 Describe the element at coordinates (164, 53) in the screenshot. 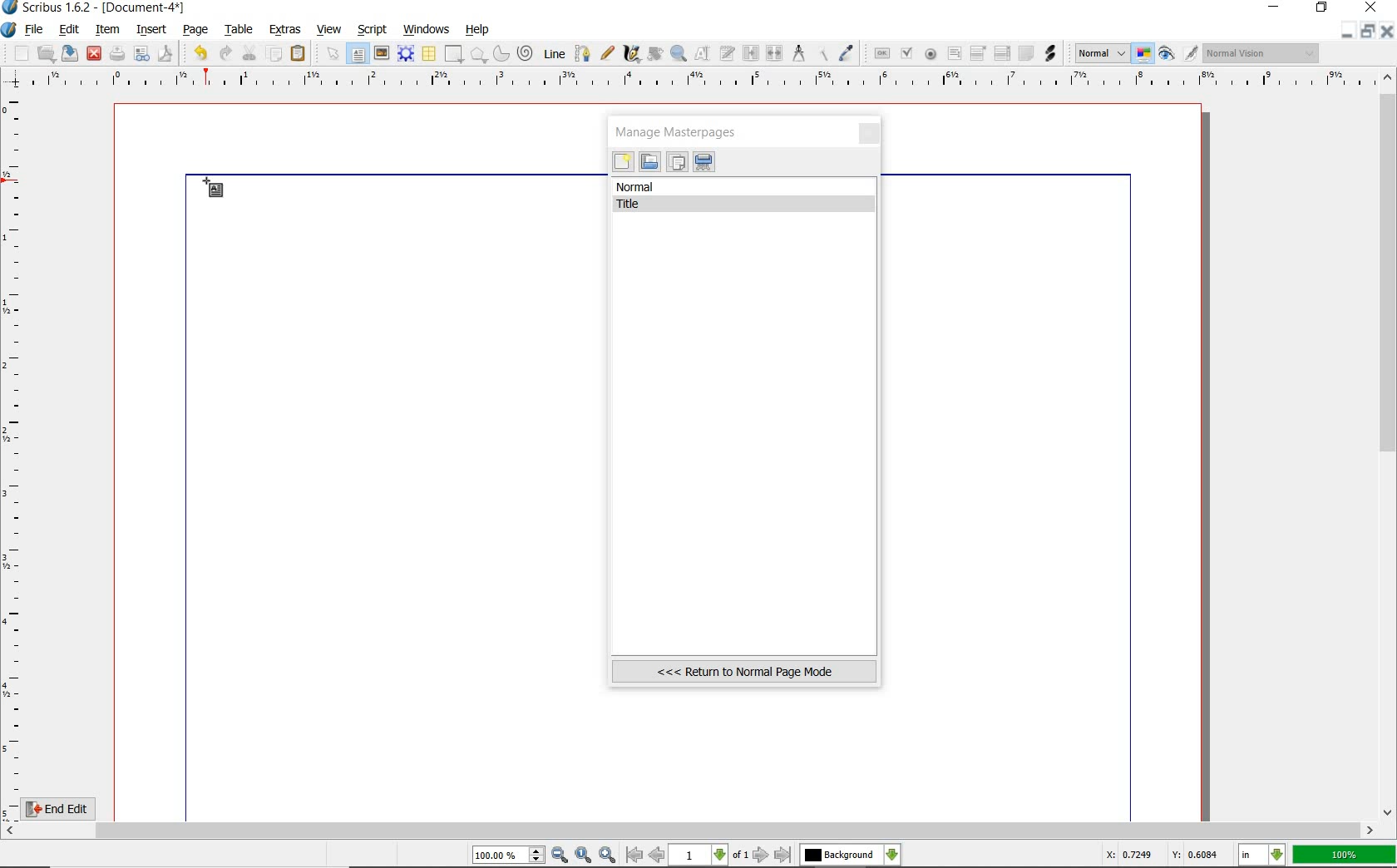

I see `save as pdf` at that location.